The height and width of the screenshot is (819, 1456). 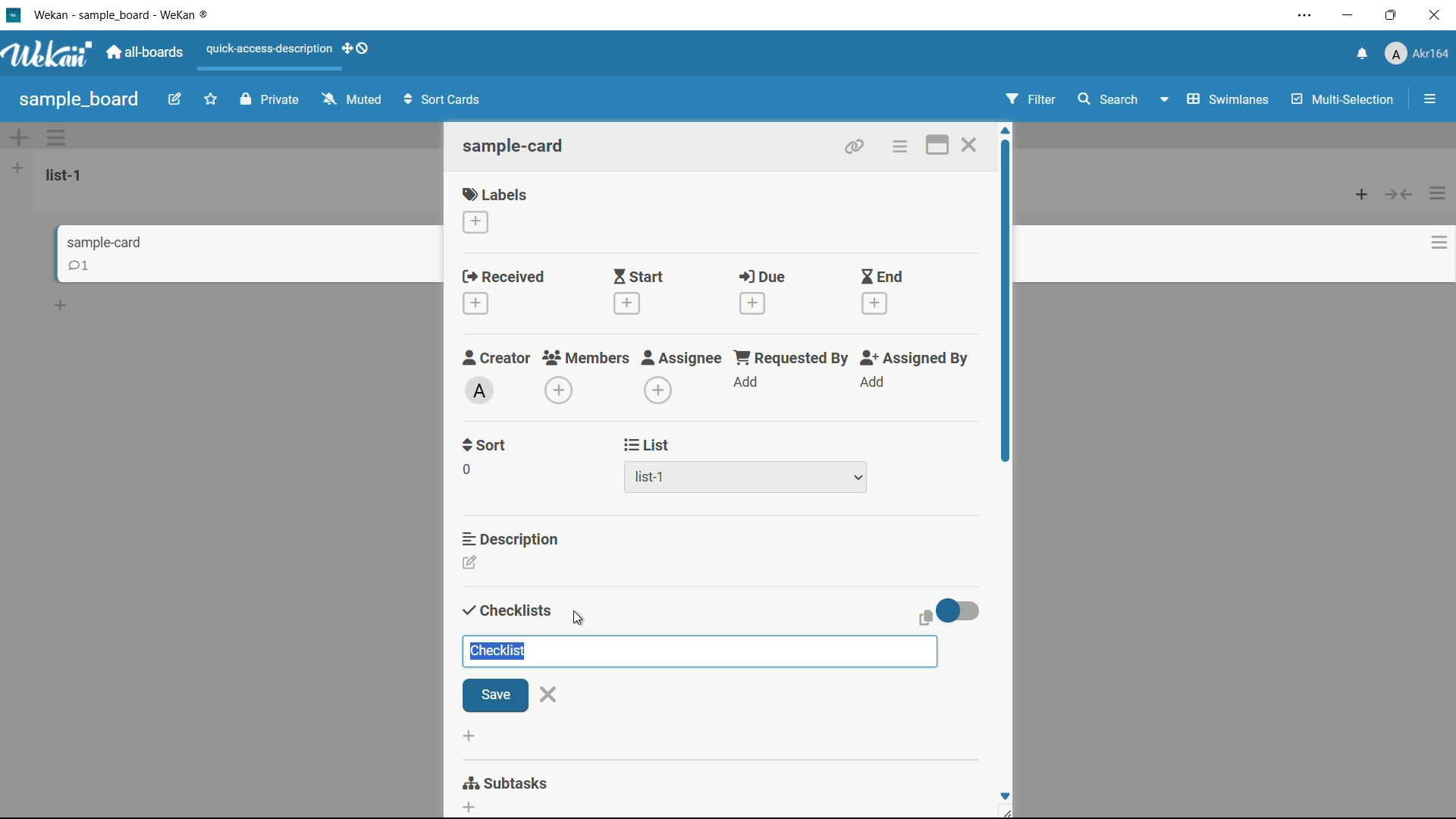 What do you see at coordinates (485, 447) in the screenshot?
I see `sort` at bounding box center [485, 447].